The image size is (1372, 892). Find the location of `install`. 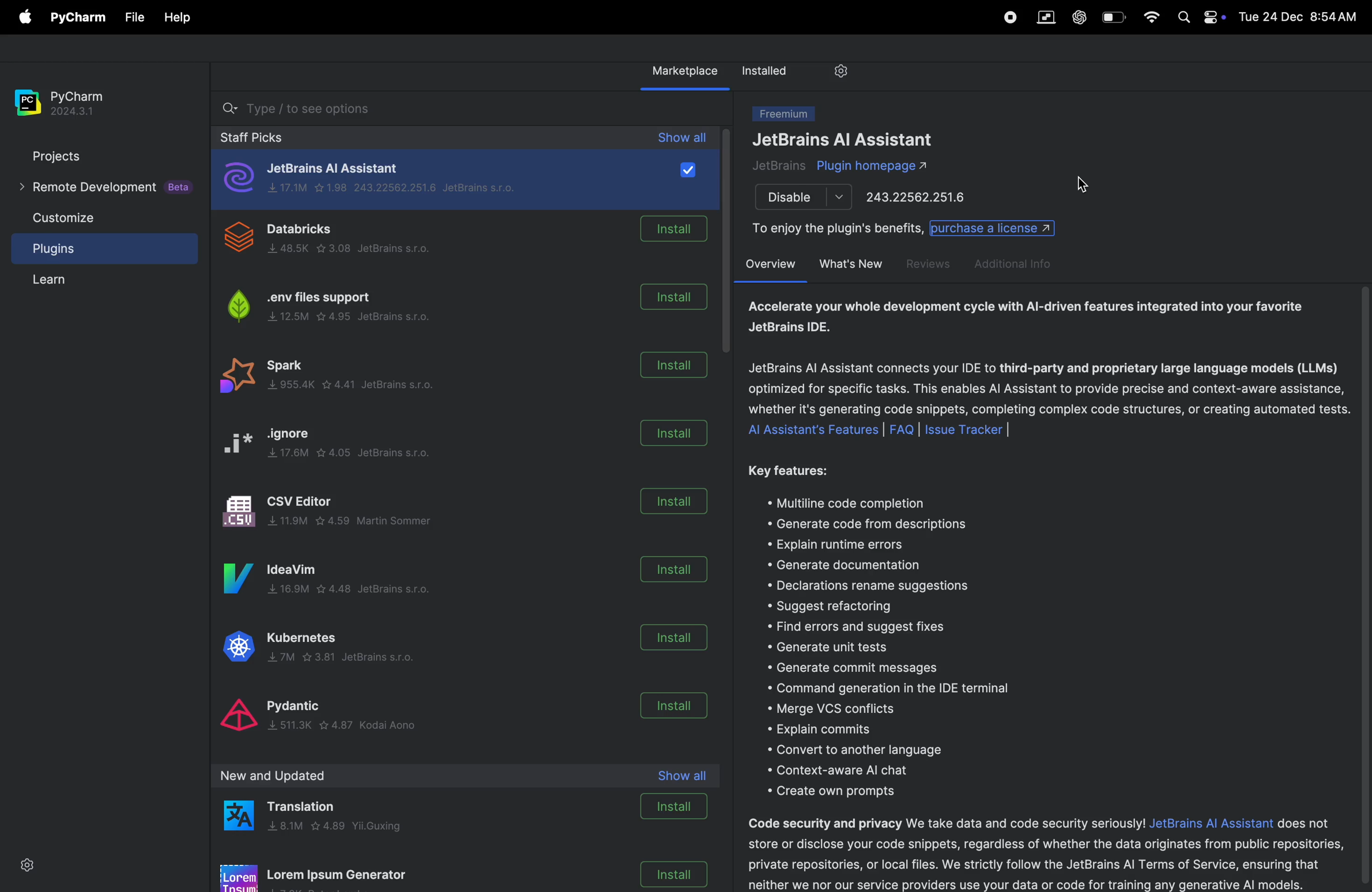

install is located at coordinates (666, 305).